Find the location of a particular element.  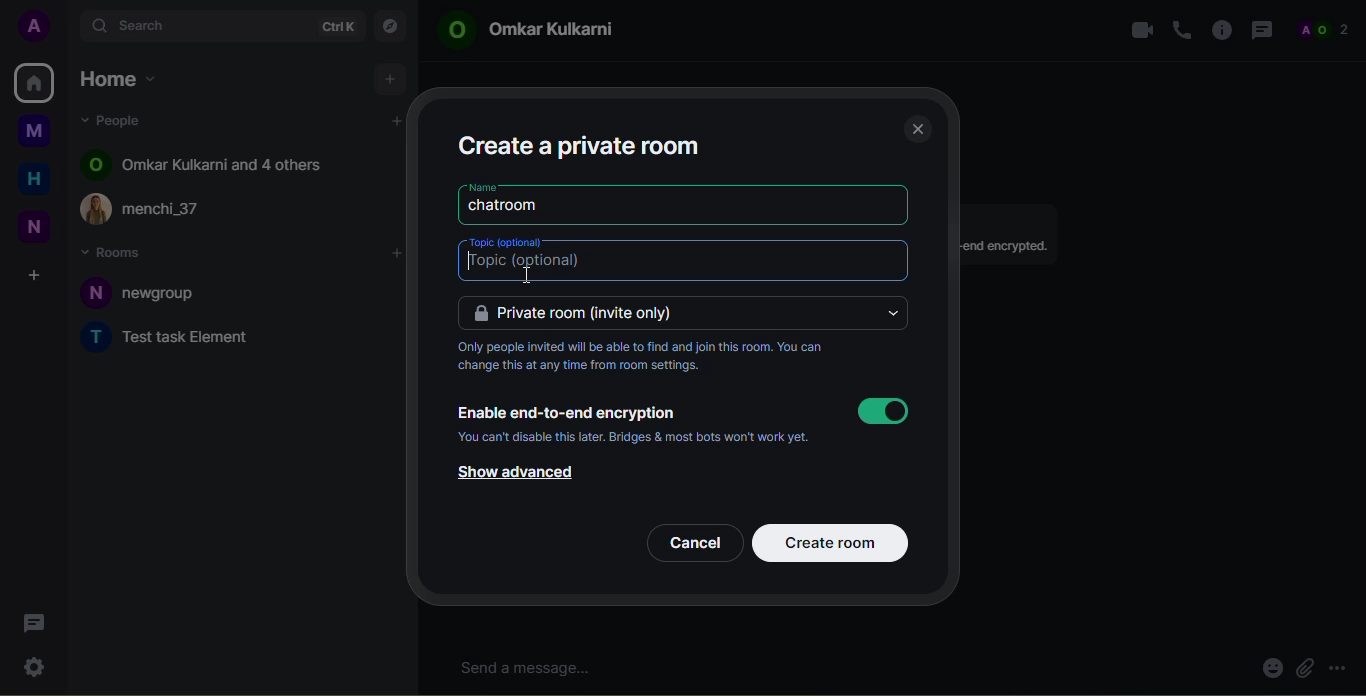

private room (invite only) is located at coordinates (580, 312).